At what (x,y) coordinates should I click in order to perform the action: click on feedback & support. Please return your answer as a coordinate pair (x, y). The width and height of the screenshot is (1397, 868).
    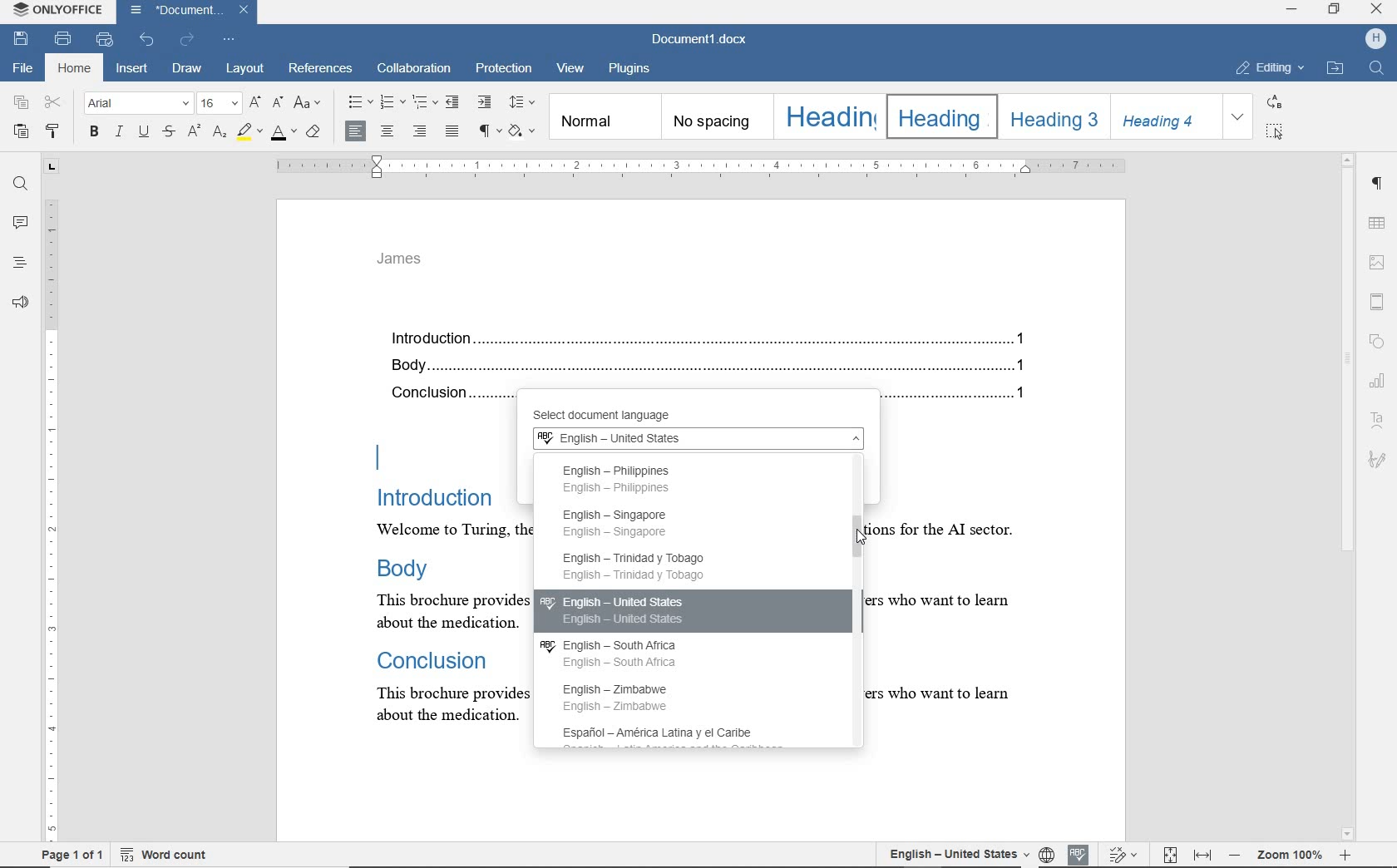
    Looking at the image, I should click on (18, 302).